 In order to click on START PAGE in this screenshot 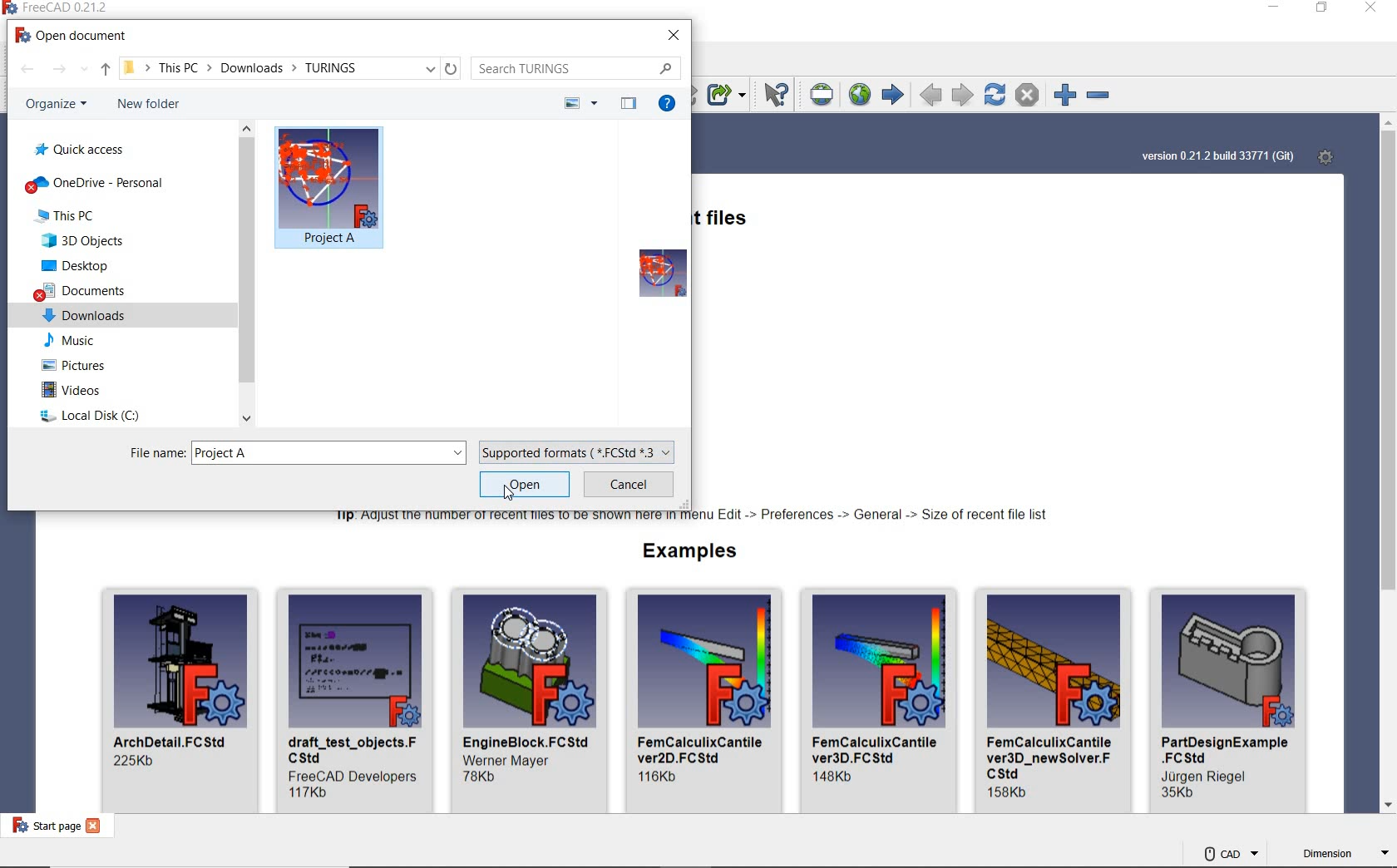, I will do `click(892, 96)`.